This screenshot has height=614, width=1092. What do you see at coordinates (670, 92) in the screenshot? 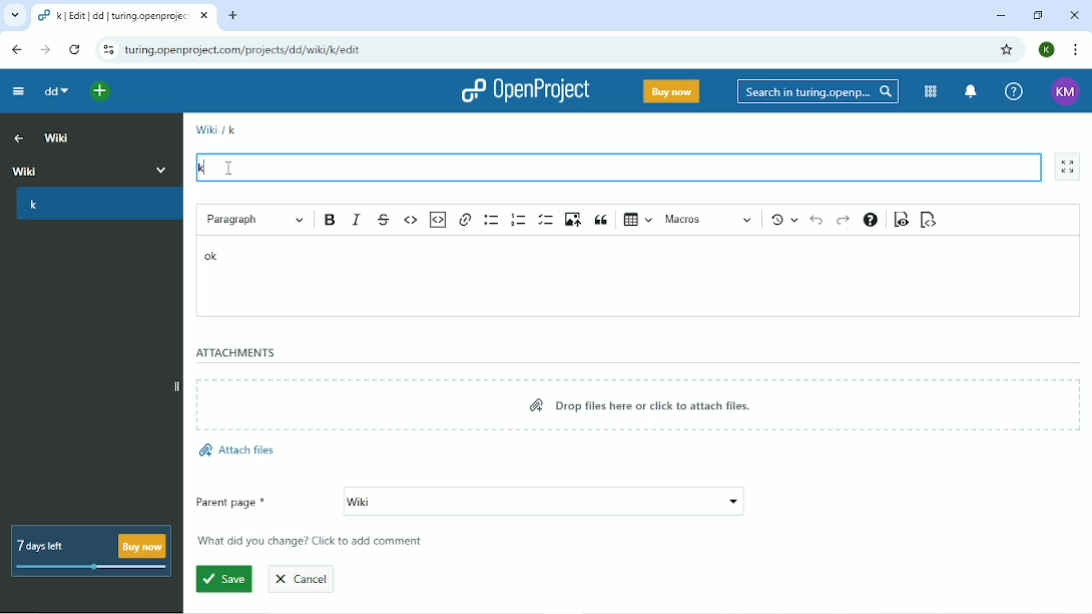
I see `Buy now` at bounding box center [670, 92].